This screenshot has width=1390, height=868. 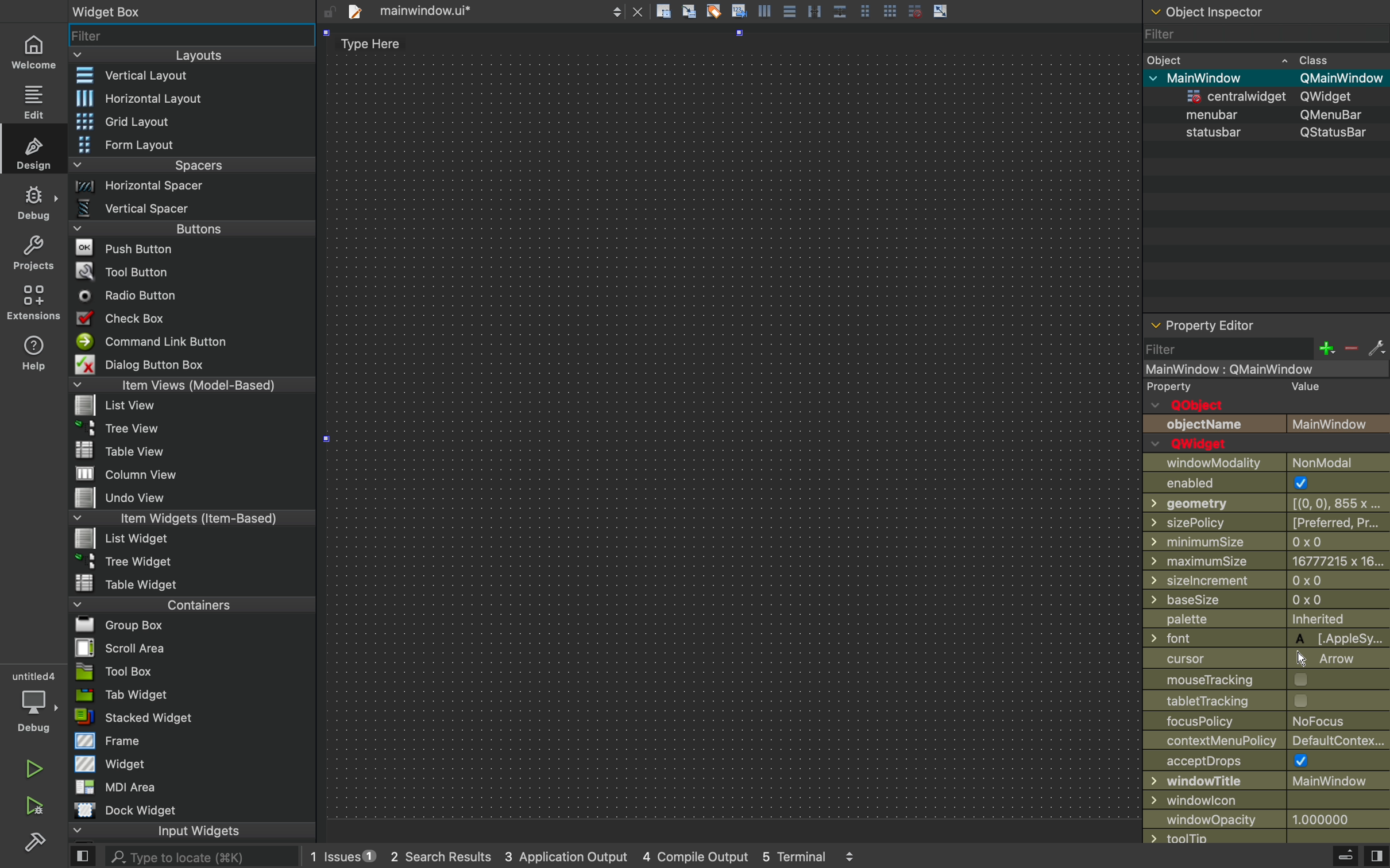 I want to click on icon, so click(x=690, y=12).